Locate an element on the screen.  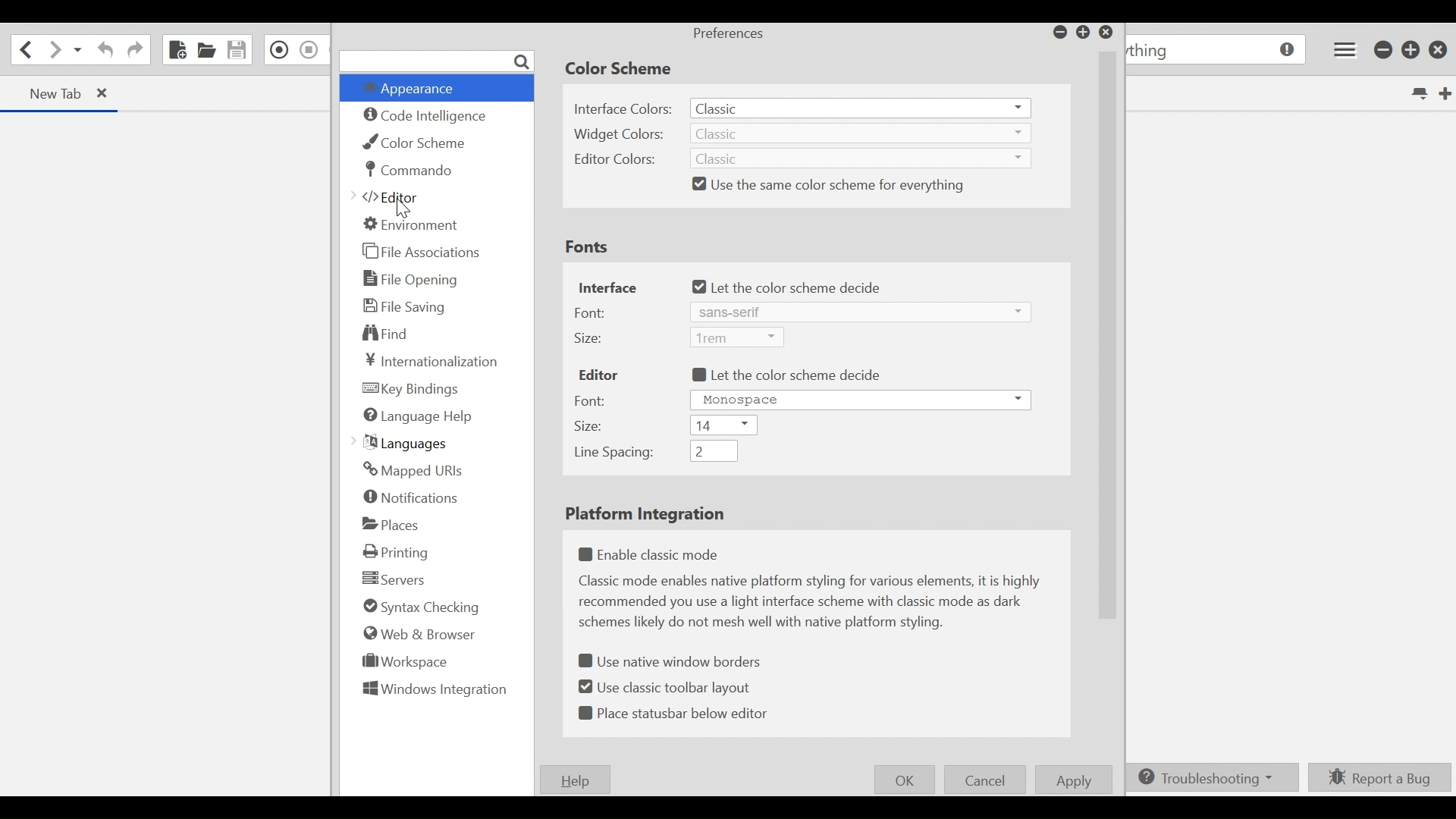
File Association is located at coordinates (419, 250).